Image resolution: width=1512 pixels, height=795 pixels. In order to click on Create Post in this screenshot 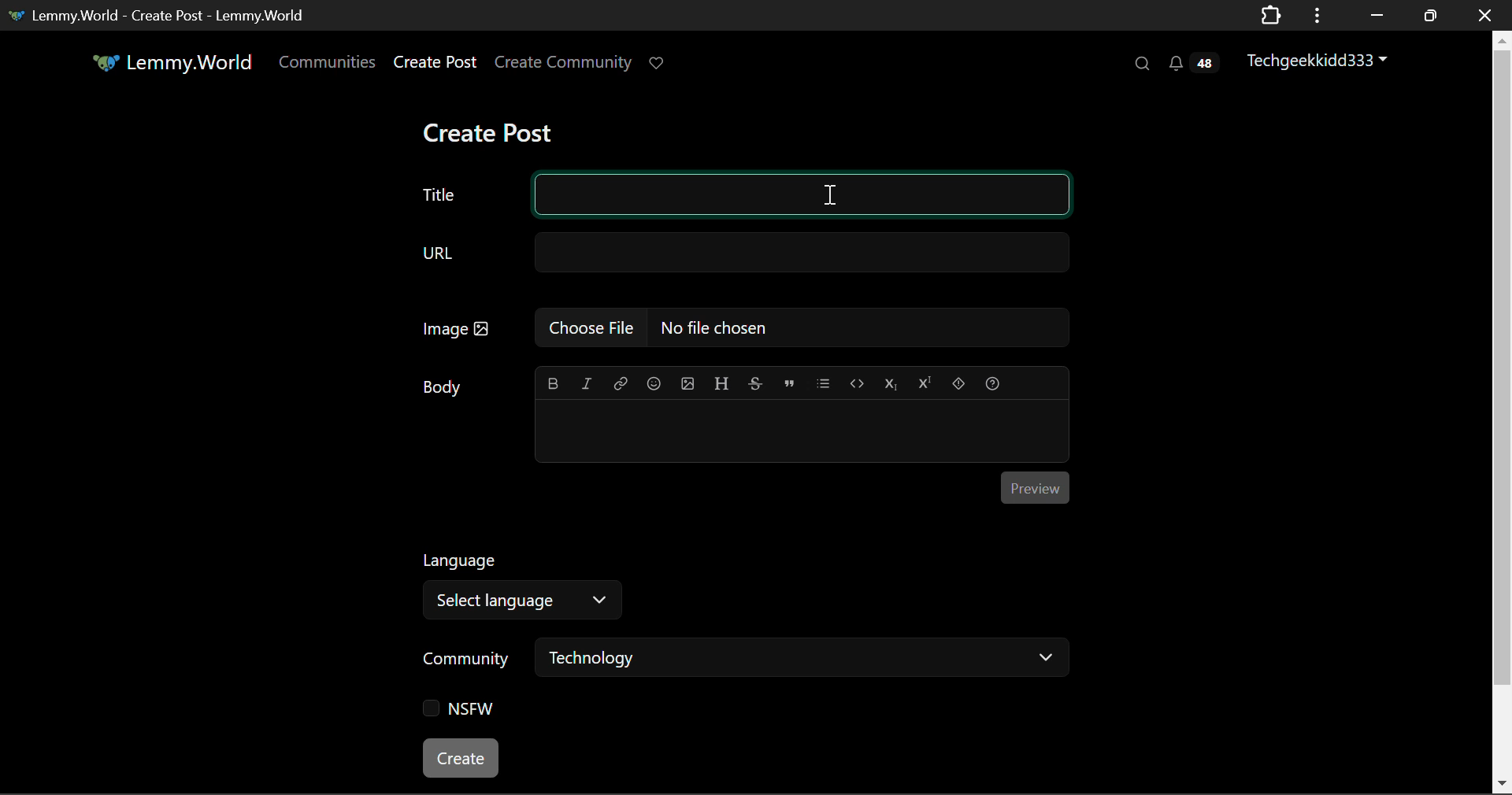, I will do `click(434, 65)`.